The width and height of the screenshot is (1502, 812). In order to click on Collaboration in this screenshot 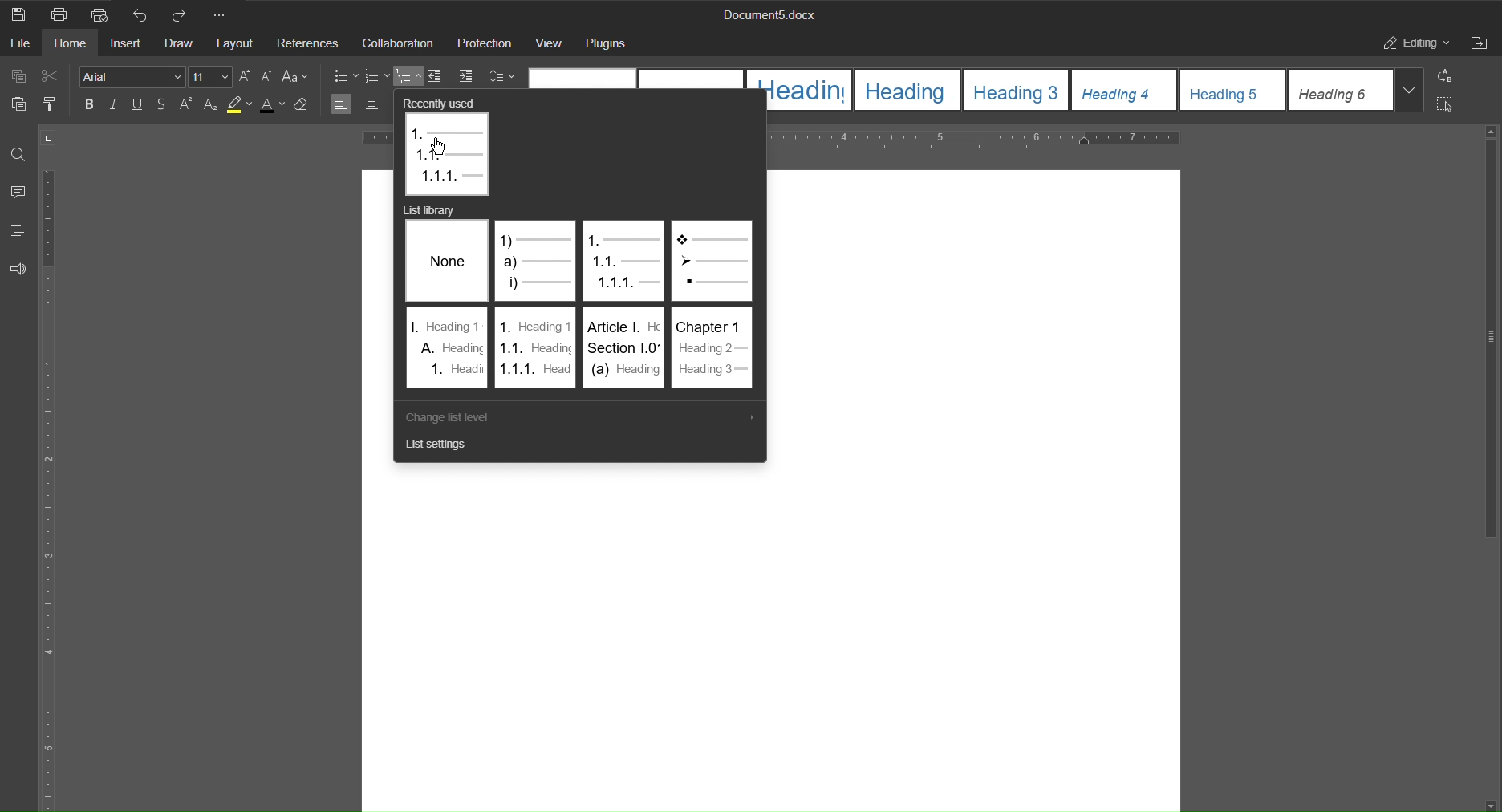, I will do `click(400, 44)`.